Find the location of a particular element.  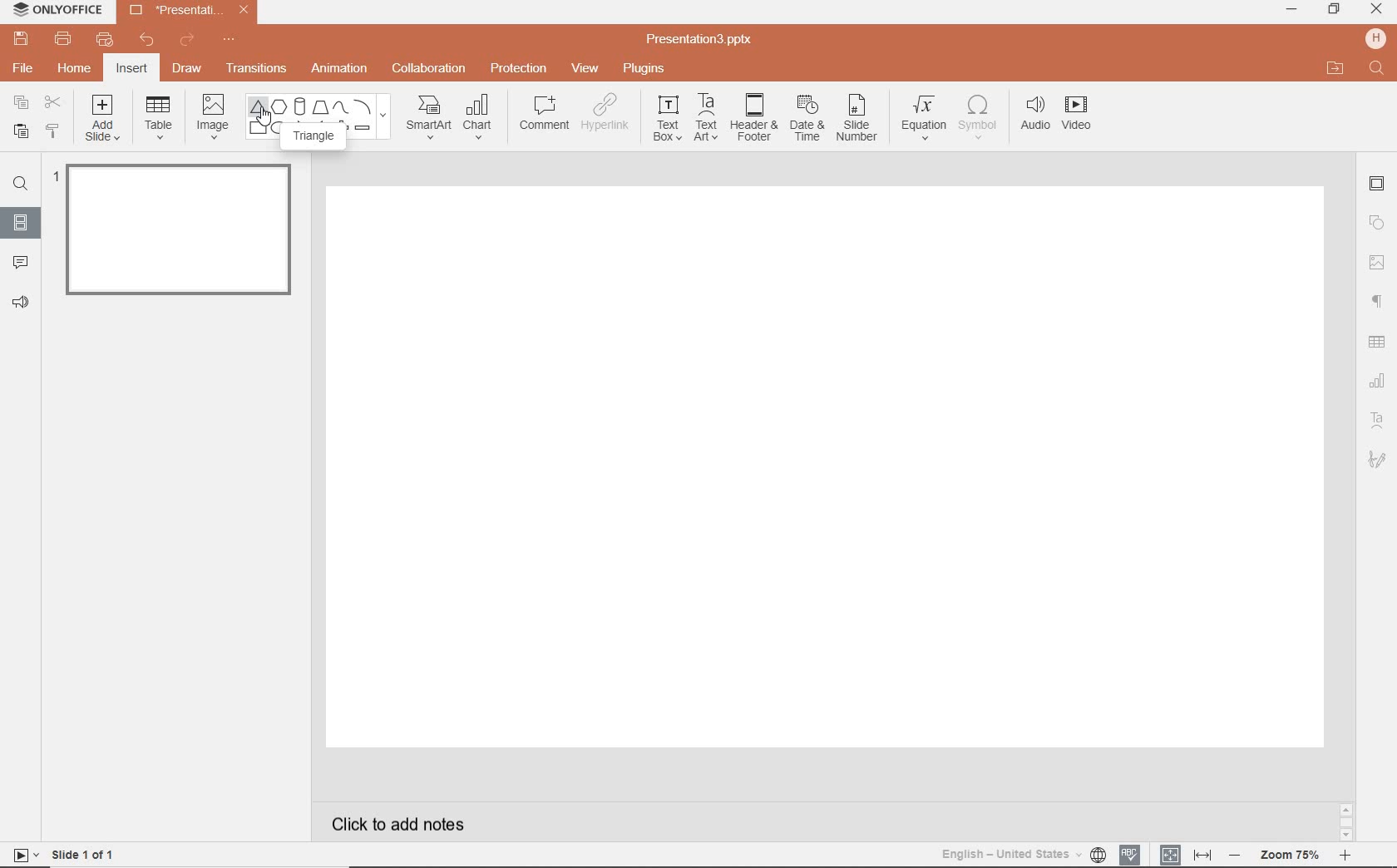

TEXT ART is located at coordinates (704, 119).